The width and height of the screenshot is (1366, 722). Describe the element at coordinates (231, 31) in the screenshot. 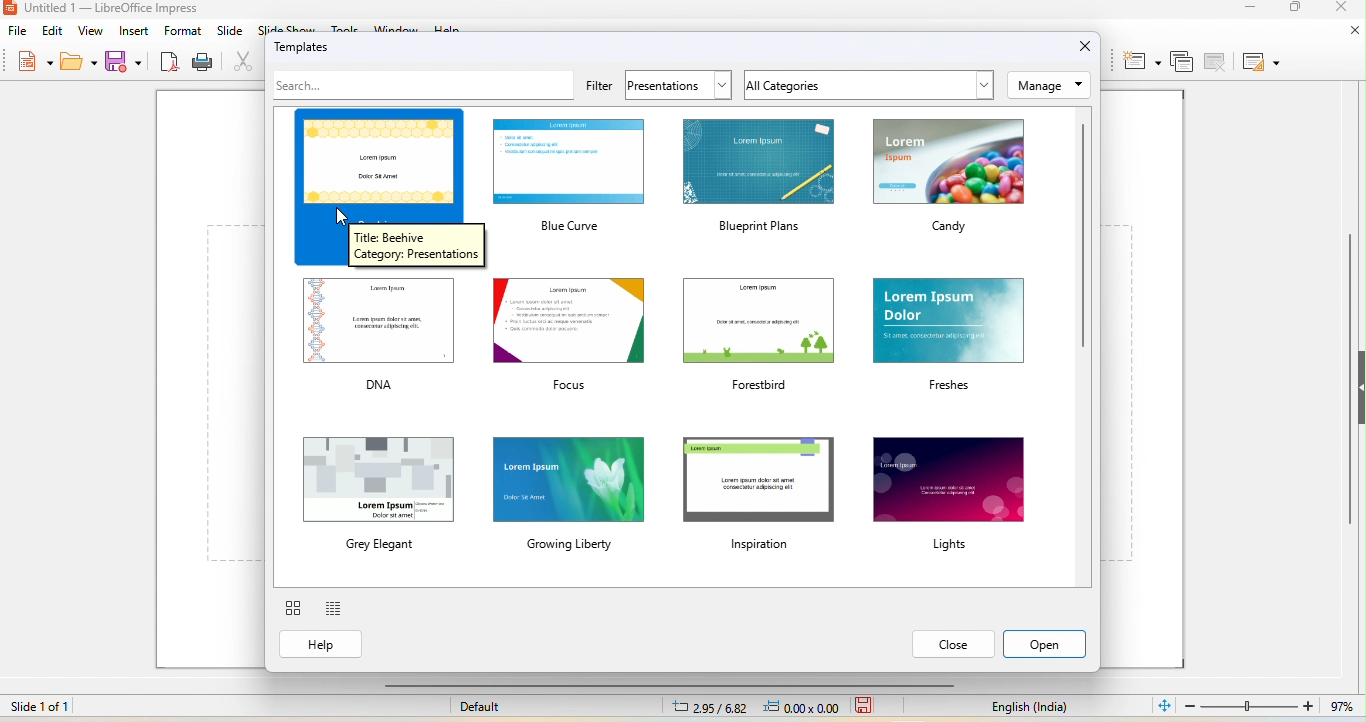

I see `slide` at that location.